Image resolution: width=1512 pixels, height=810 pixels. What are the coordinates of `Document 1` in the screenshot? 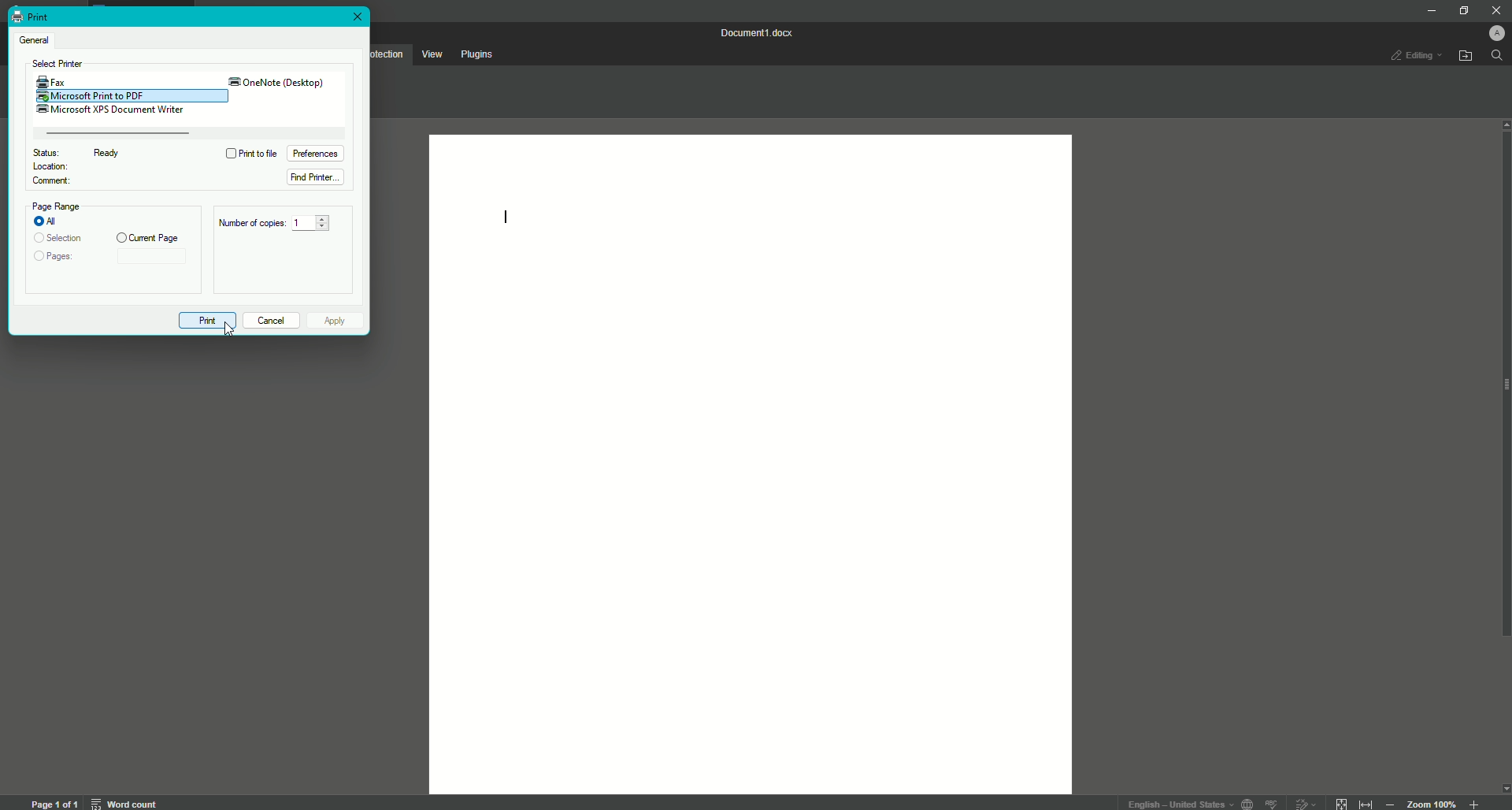 It's located at (756, 32).